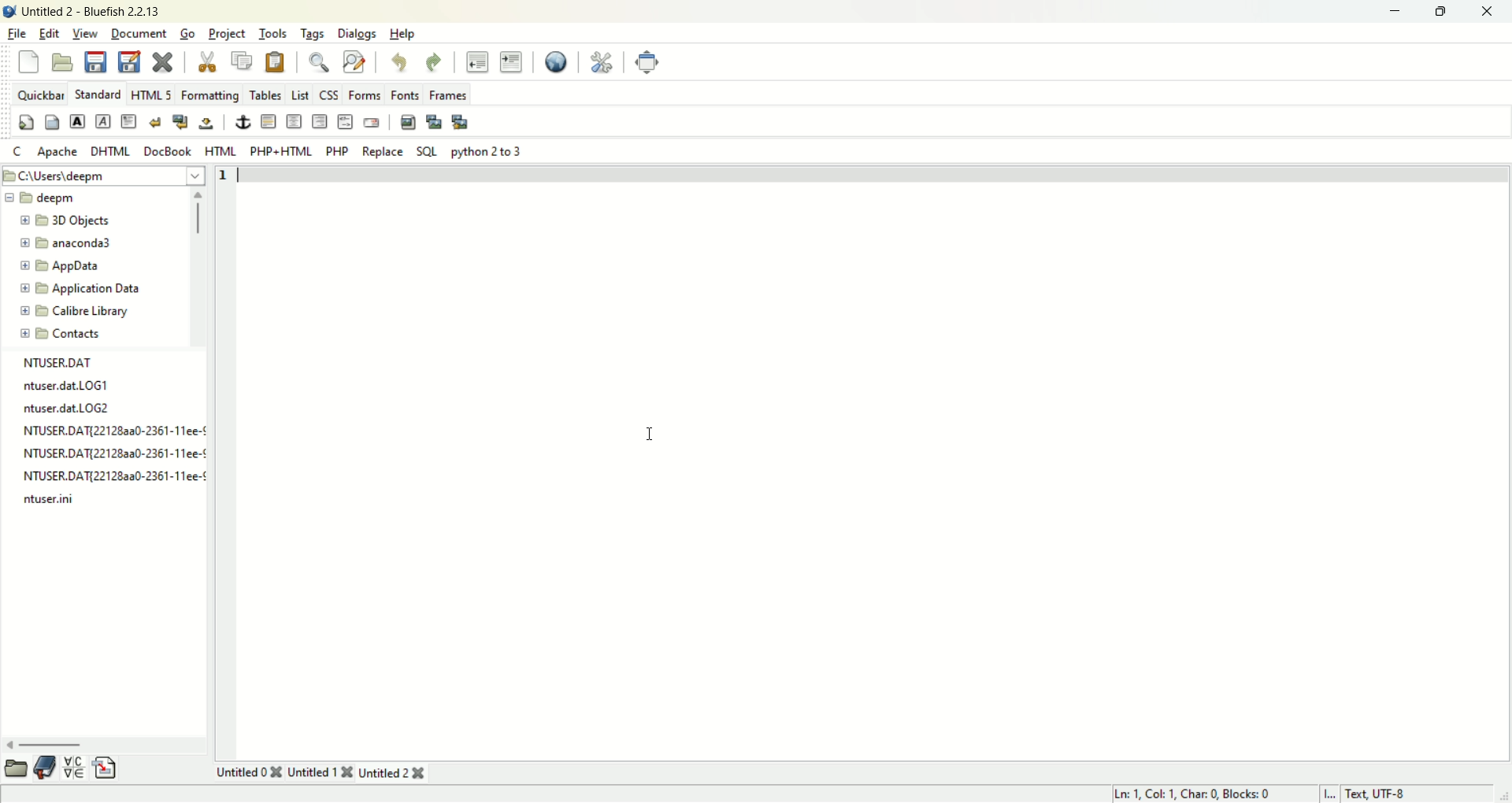  I want to click on formatting, so click(212, 94).